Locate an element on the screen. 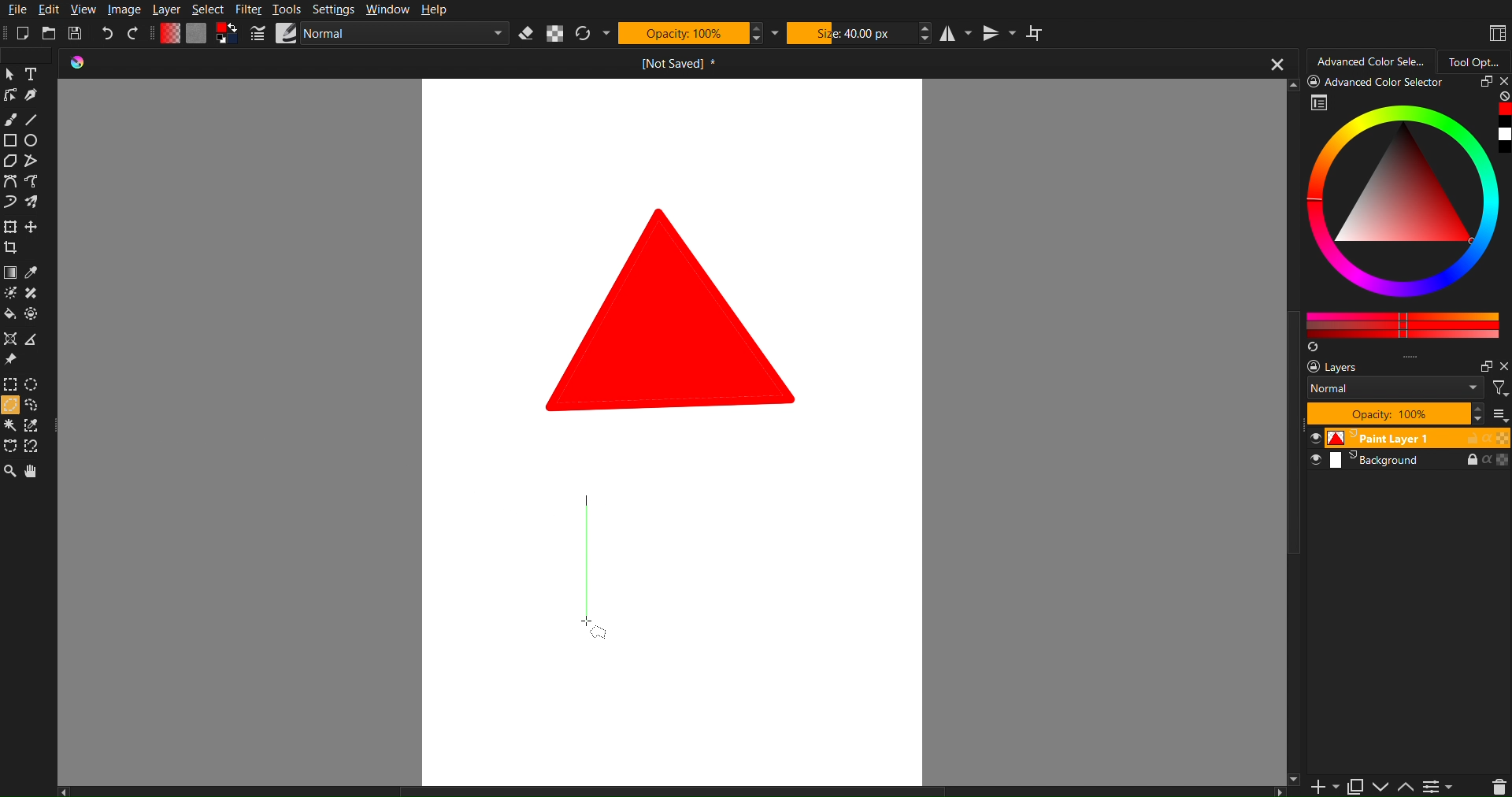 This screenshot has width=1512, height=797. Refresh is located at coordinates (586, 34).